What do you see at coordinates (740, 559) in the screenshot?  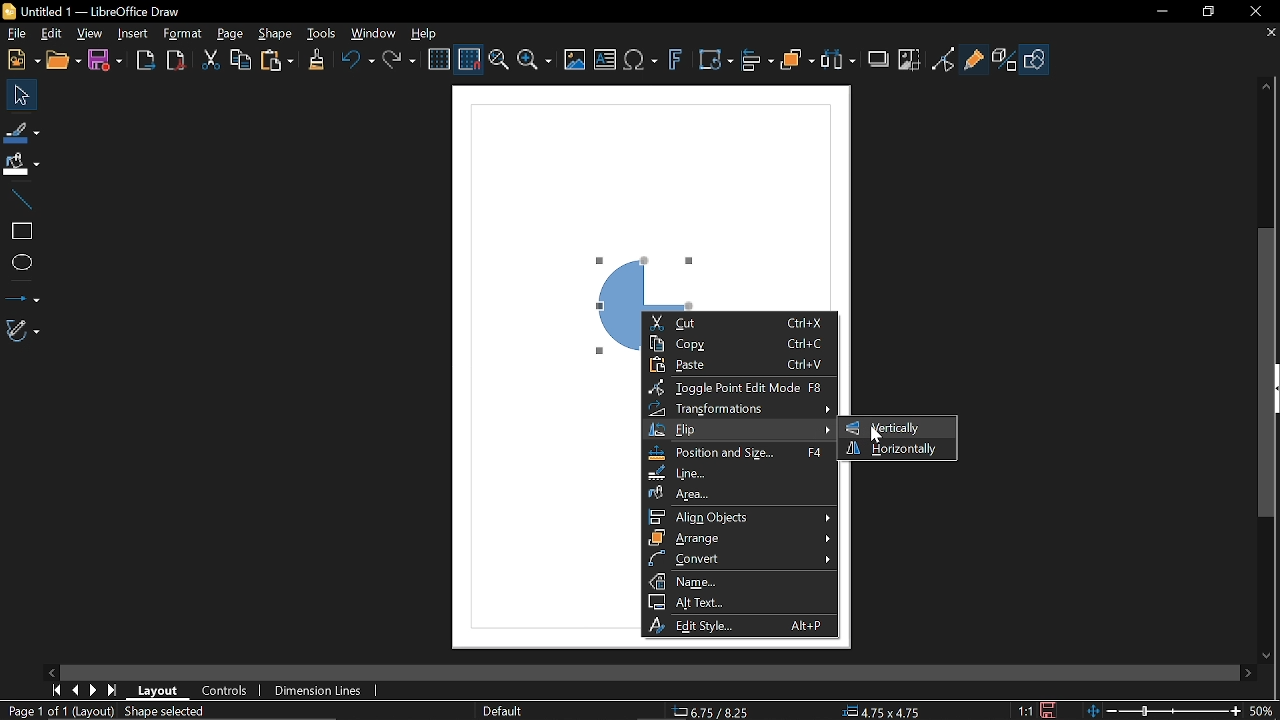 I see `Convert` at bounding box center [740, 559].